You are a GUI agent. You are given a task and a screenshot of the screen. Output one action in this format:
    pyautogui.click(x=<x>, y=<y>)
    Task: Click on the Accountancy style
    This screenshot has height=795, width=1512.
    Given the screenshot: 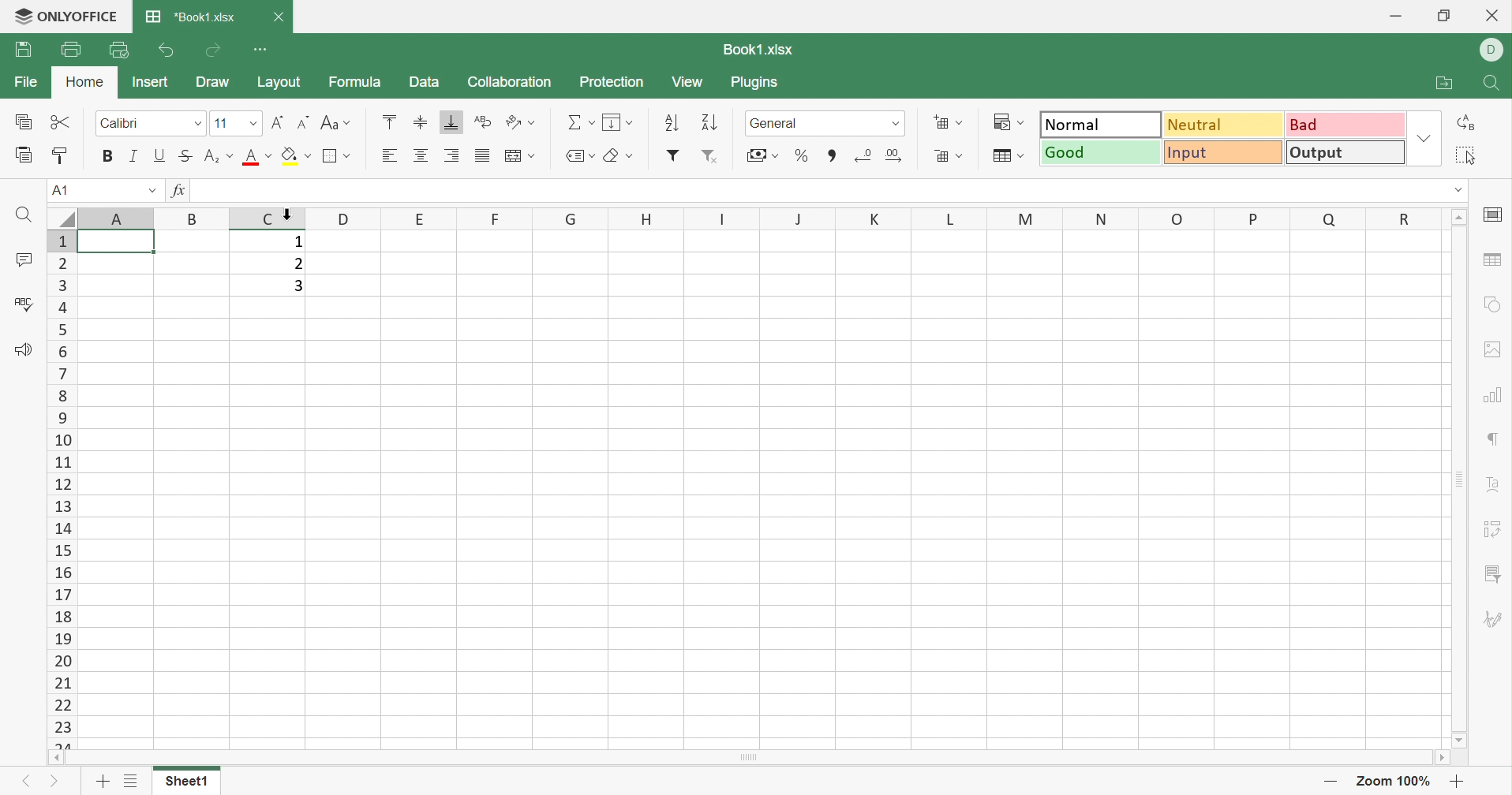 What is the action you would take?
    pyautogui.click(x=754, y=158)
    